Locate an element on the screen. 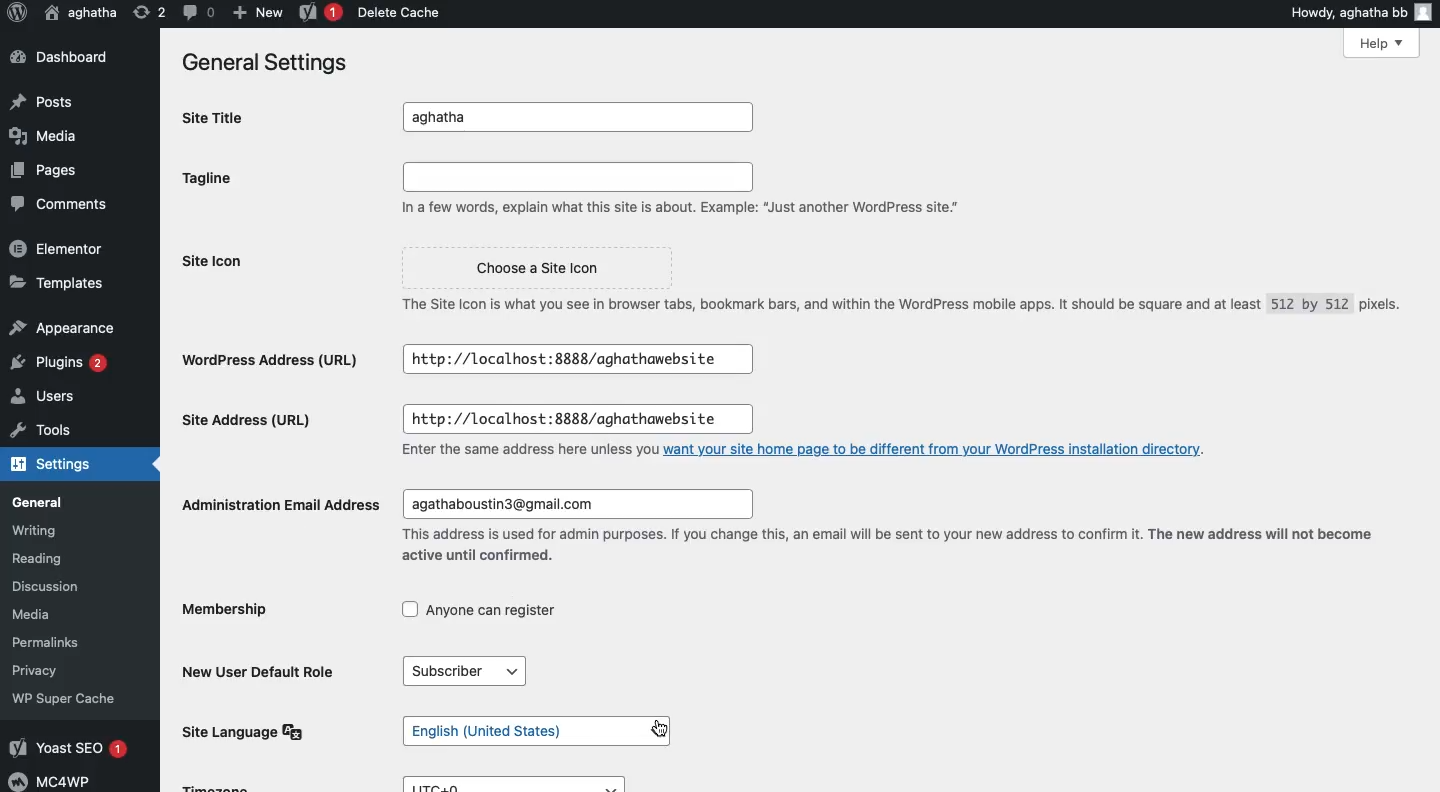 Image resolution: width=1440 pixels, height=792 pixels. Privacy is located at coordinates (44, 669).